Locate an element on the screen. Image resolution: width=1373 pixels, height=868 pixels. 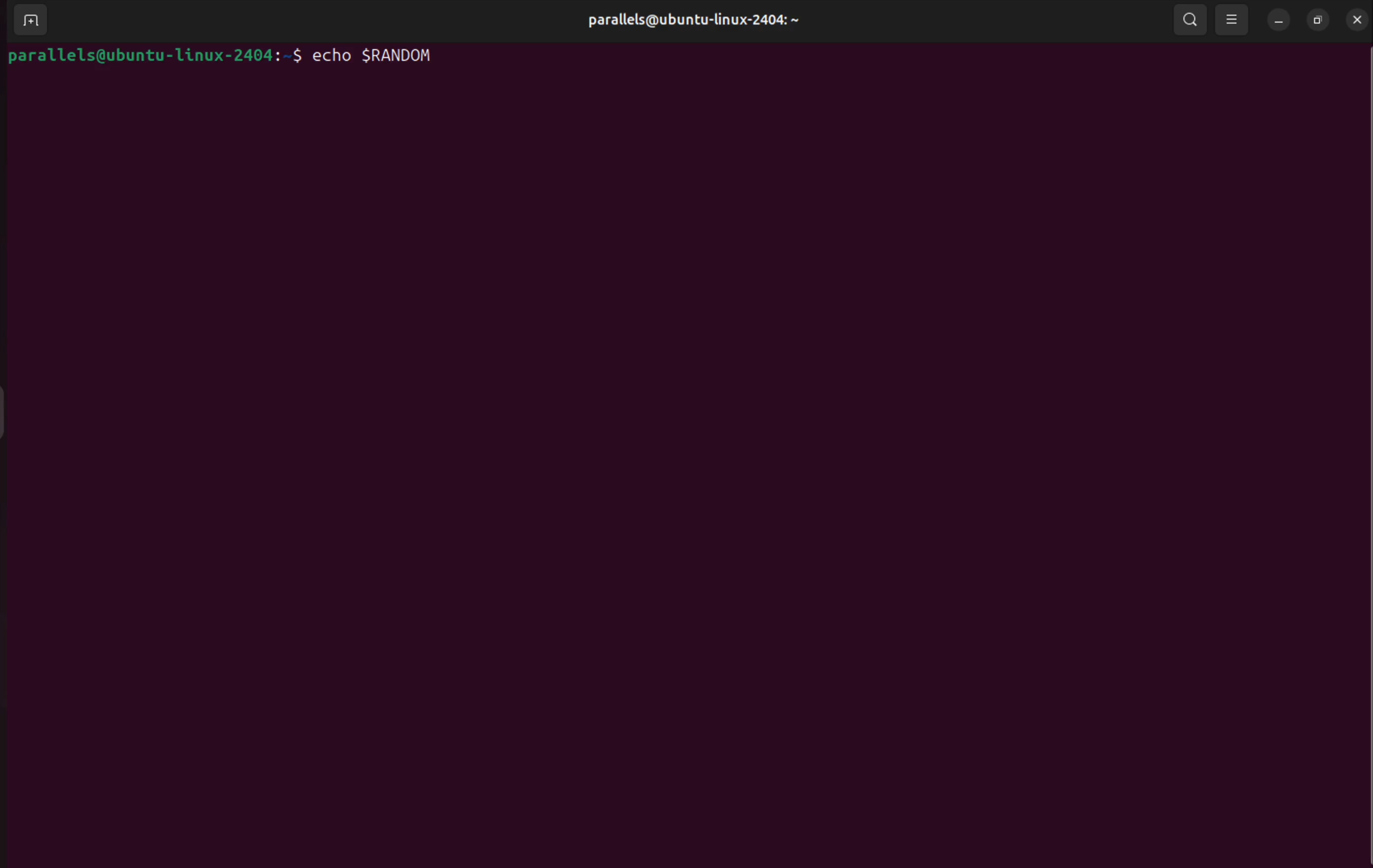
view options is located at coordinates (1233, 22).